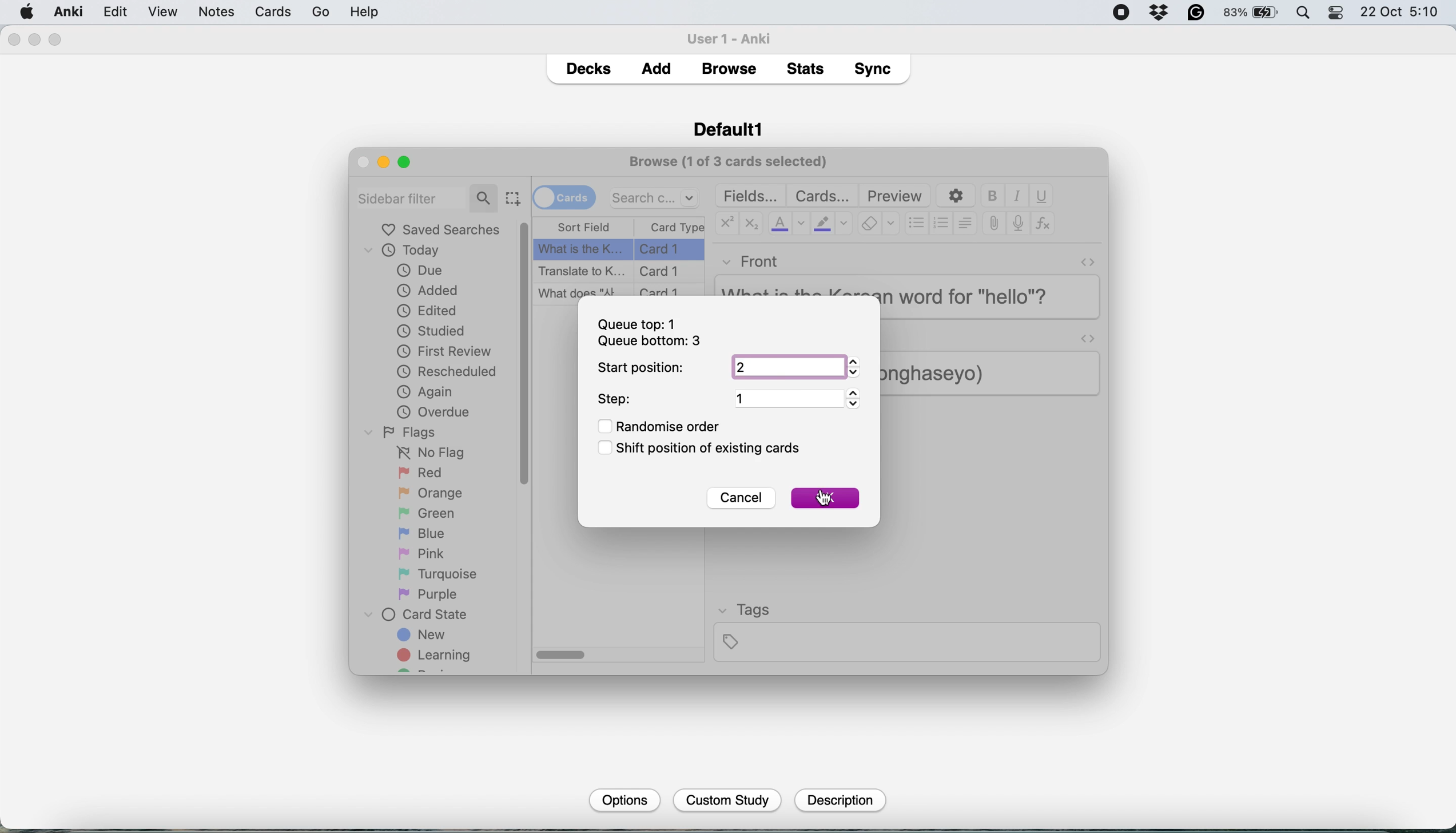 The height and width of the screenshot is (833, 1456). Describe the element at coordinates (1401, 13) in the screenshot. I see `22 Oct 5:10` at that location.